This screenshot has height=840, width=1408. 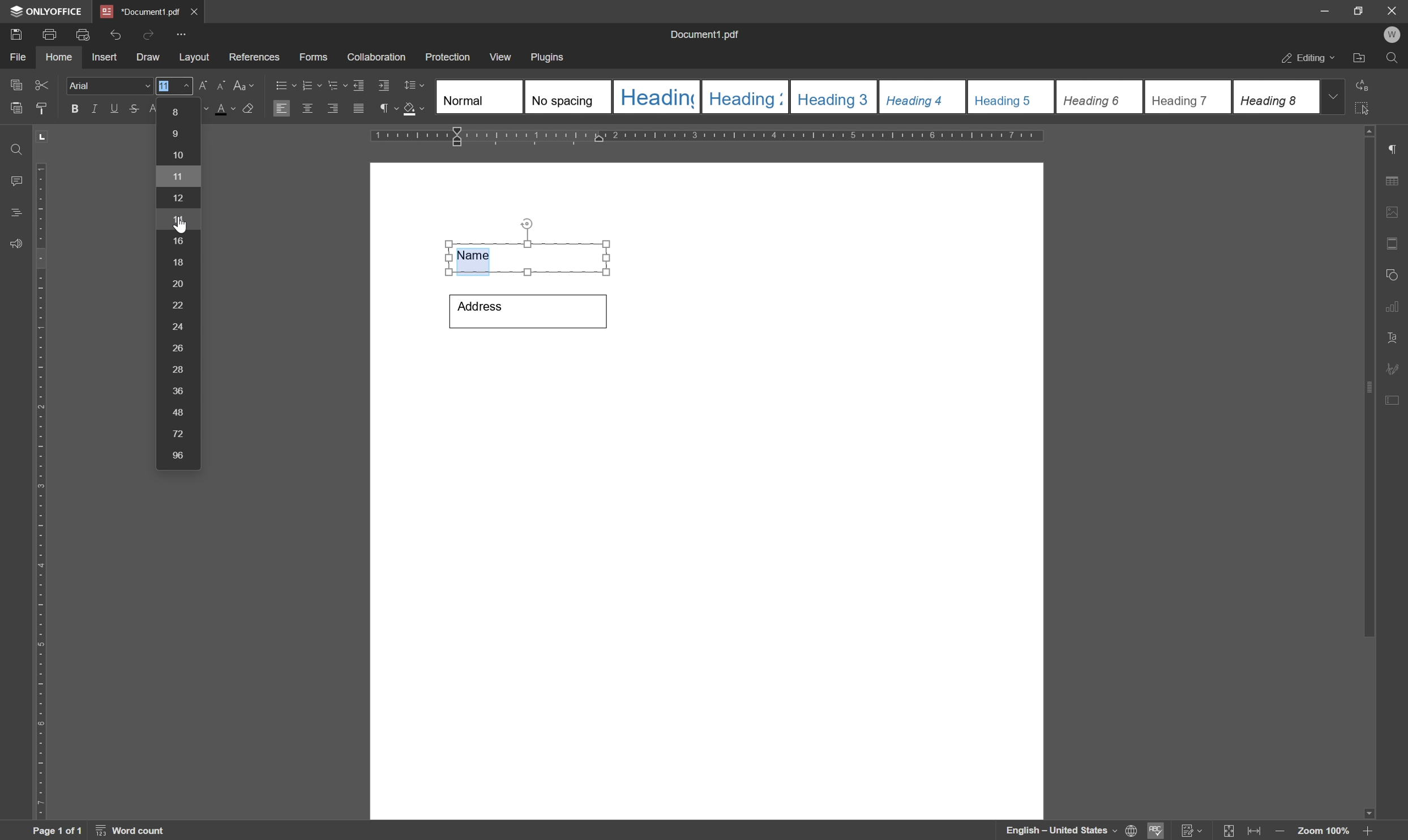 What do you see at coordinates (114, 108) in the screenshot?
I see `underline` at bounding box center [114, 108].